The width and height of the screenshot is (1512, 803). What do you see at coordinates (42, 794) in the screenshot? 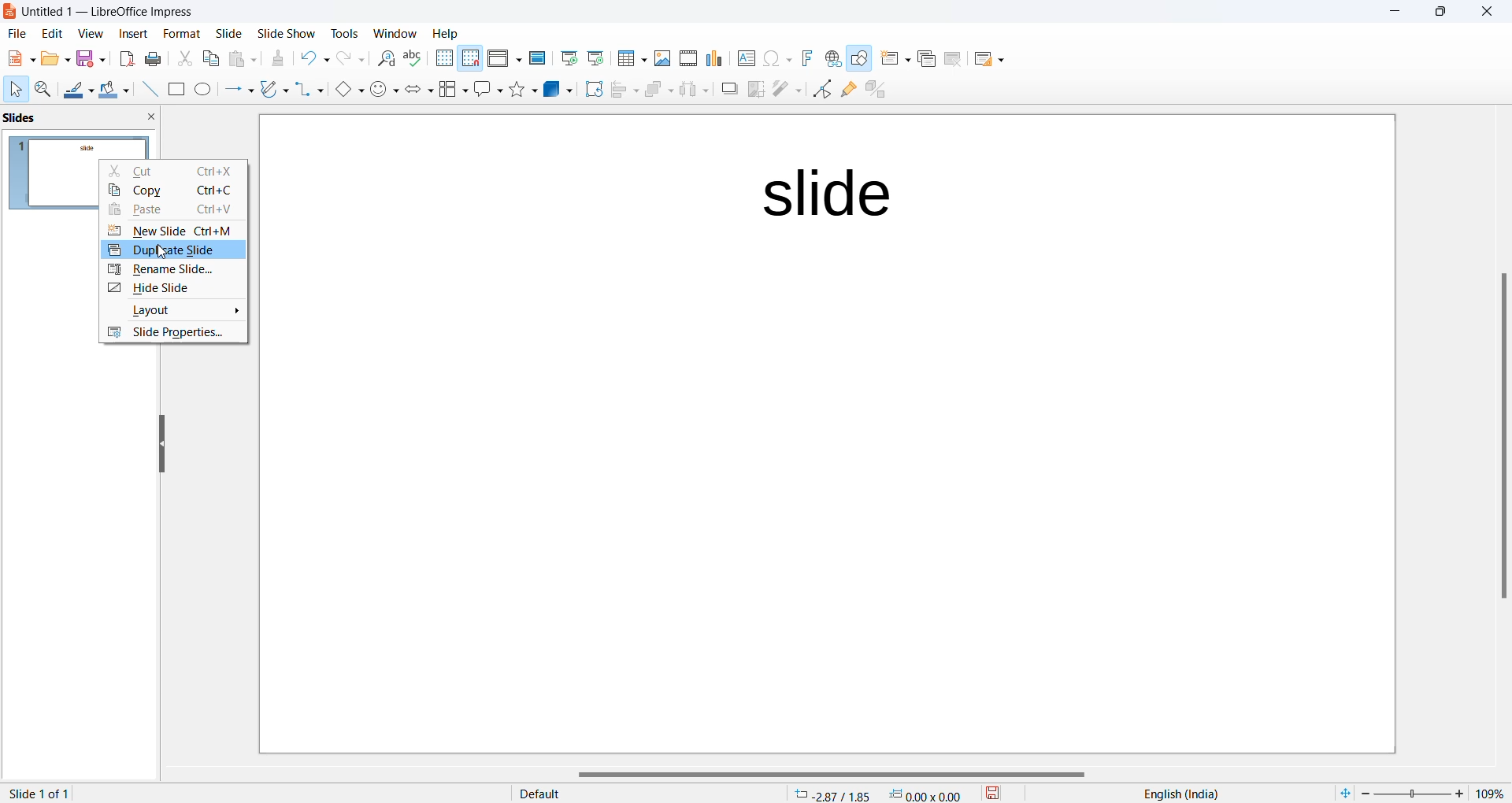
I see `Slide 1 of 1` at bounding box center [42, 794].